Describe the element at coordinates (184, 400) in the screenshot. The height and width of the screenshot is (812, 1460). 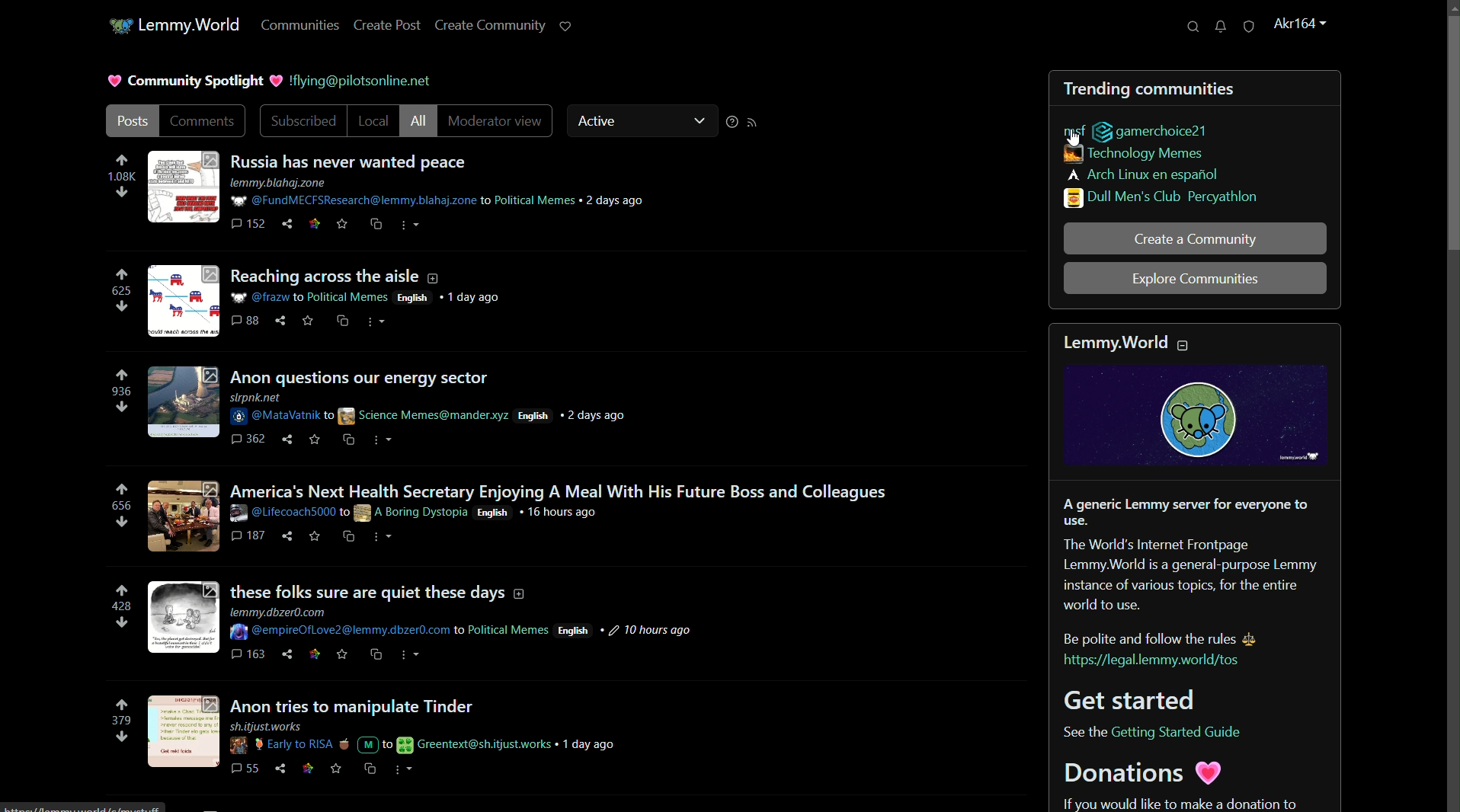
I see `image` at that location.